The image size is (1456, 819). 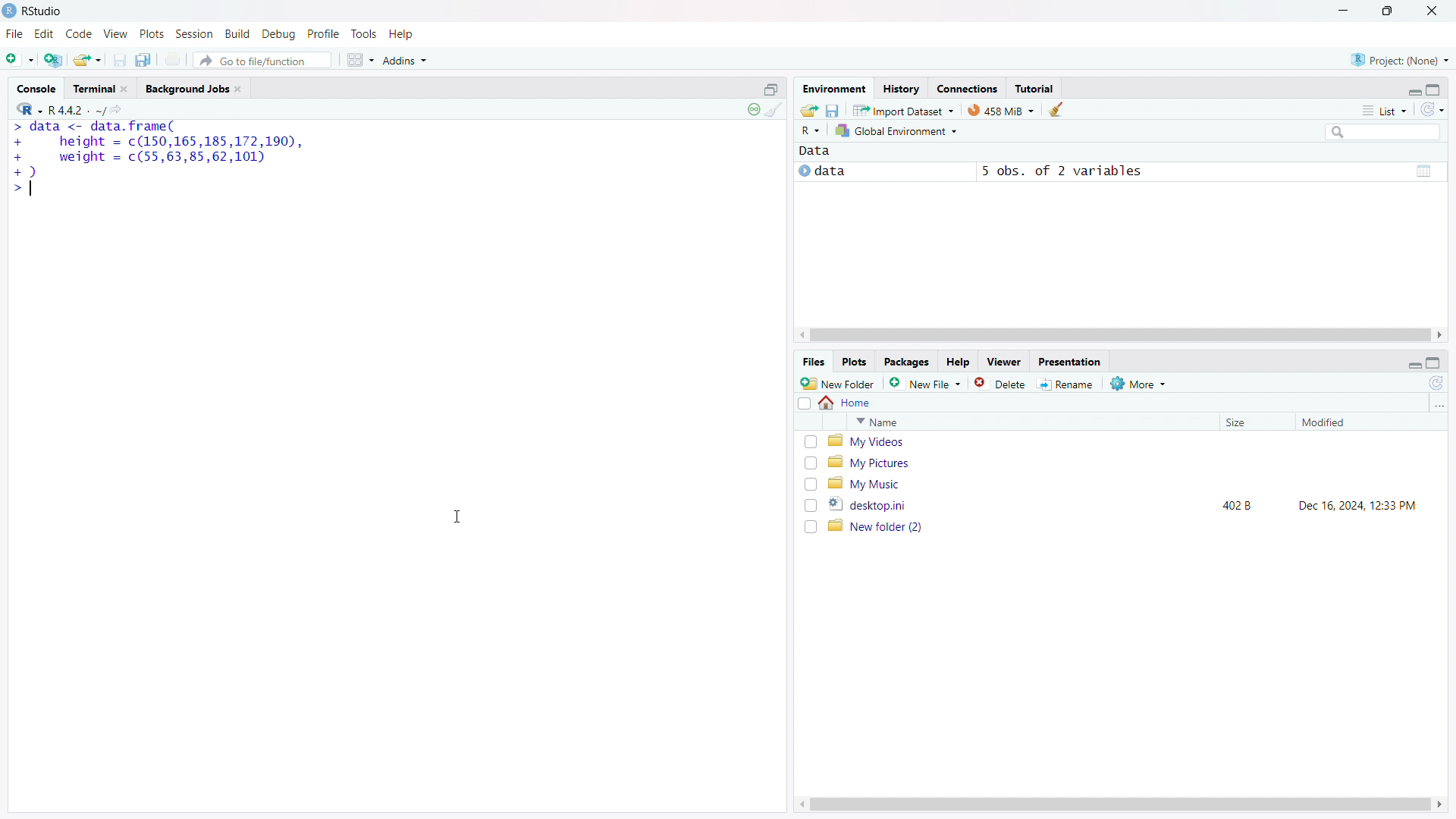 What do you see at coordinates (802, 335) in the screenshot?
I see `scroll left` at bounding box center [802, 335].